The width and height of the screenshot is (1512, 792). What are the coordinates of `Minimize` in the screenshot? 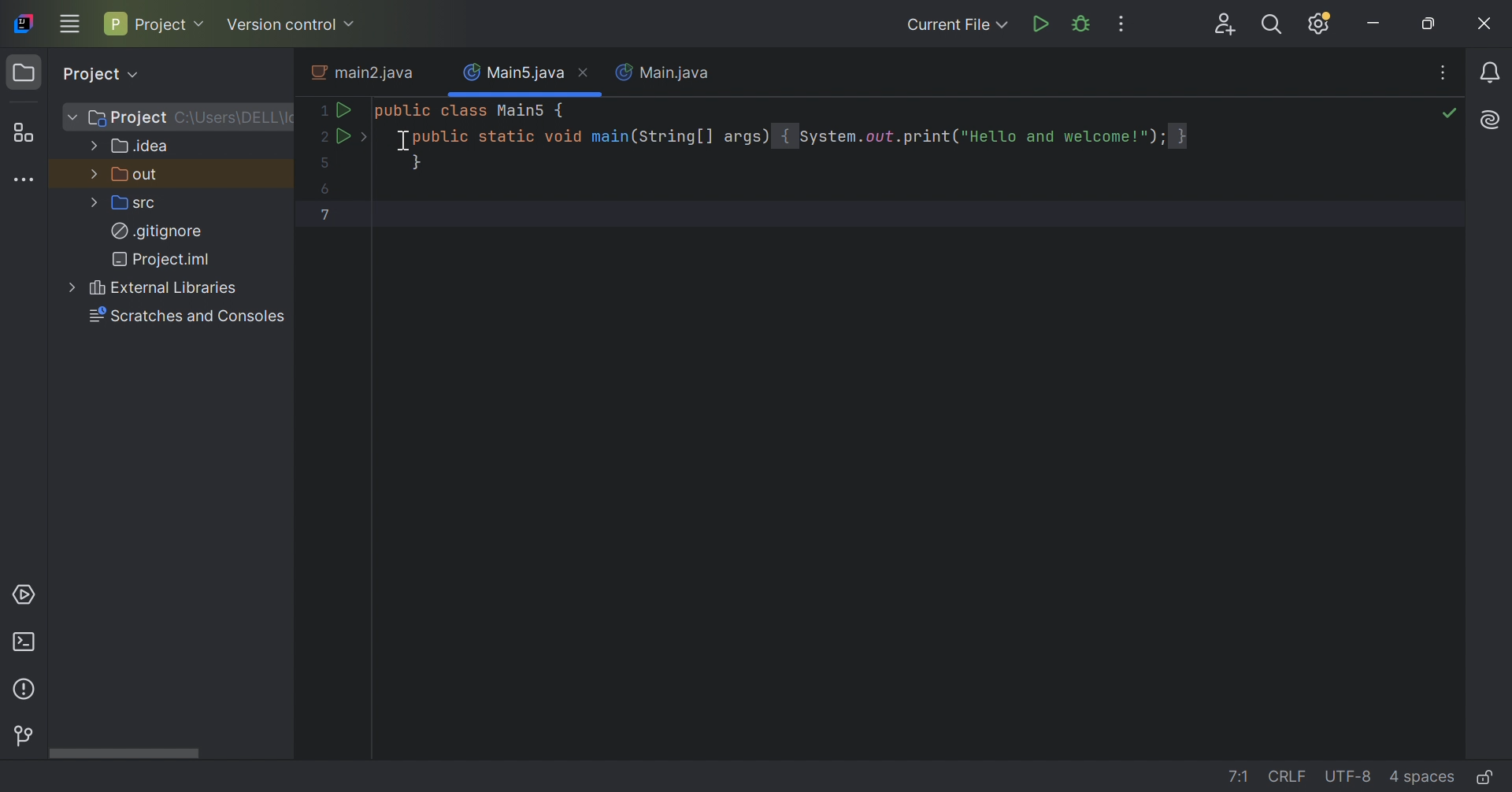 It's located at (1377, 23).